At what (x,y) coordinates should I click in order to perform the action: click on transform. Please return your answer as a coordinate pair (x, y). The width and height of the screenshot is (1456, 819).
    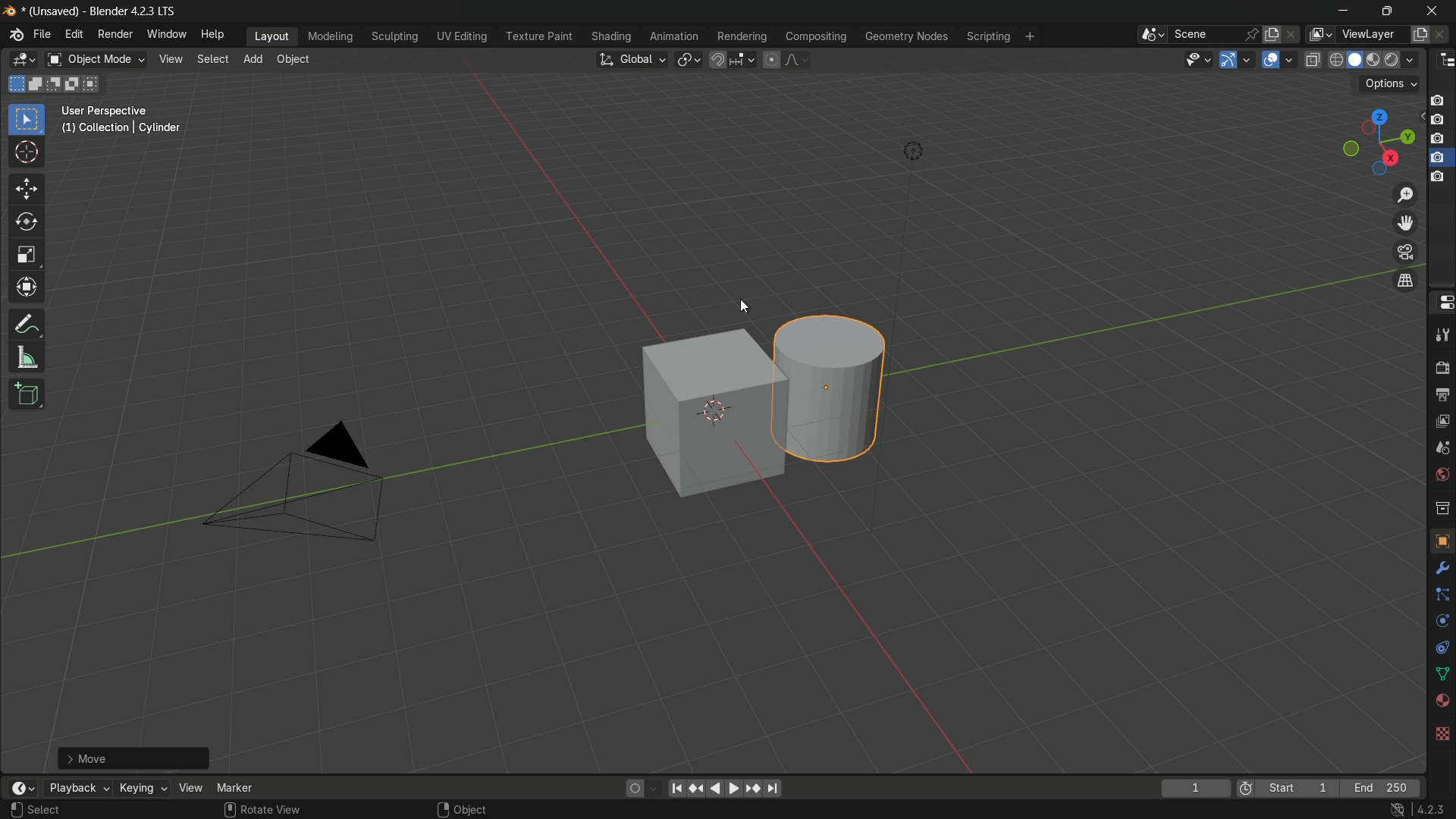
    Looking at the image, I should click on (27, 288).